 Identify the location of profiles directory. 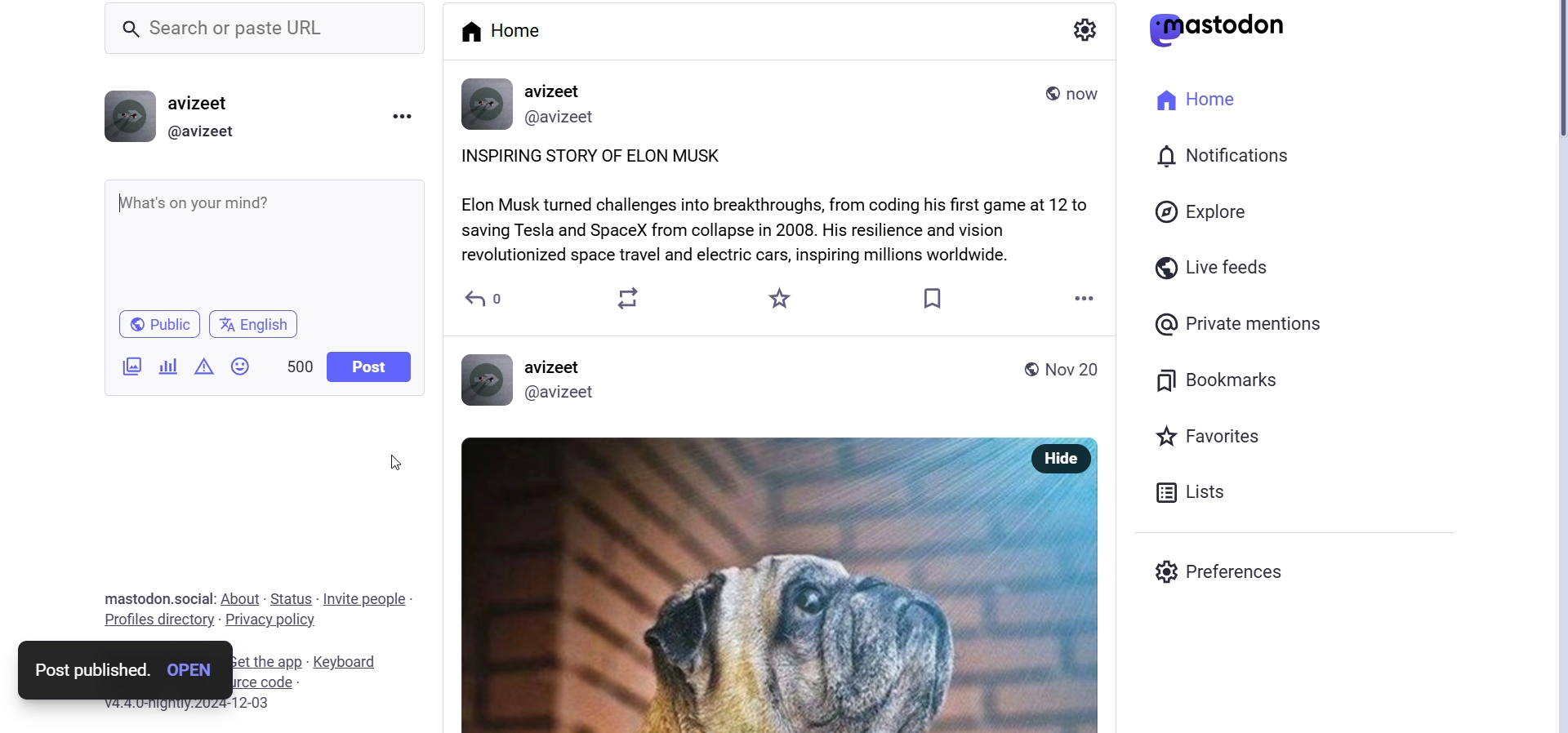
(157, 620).